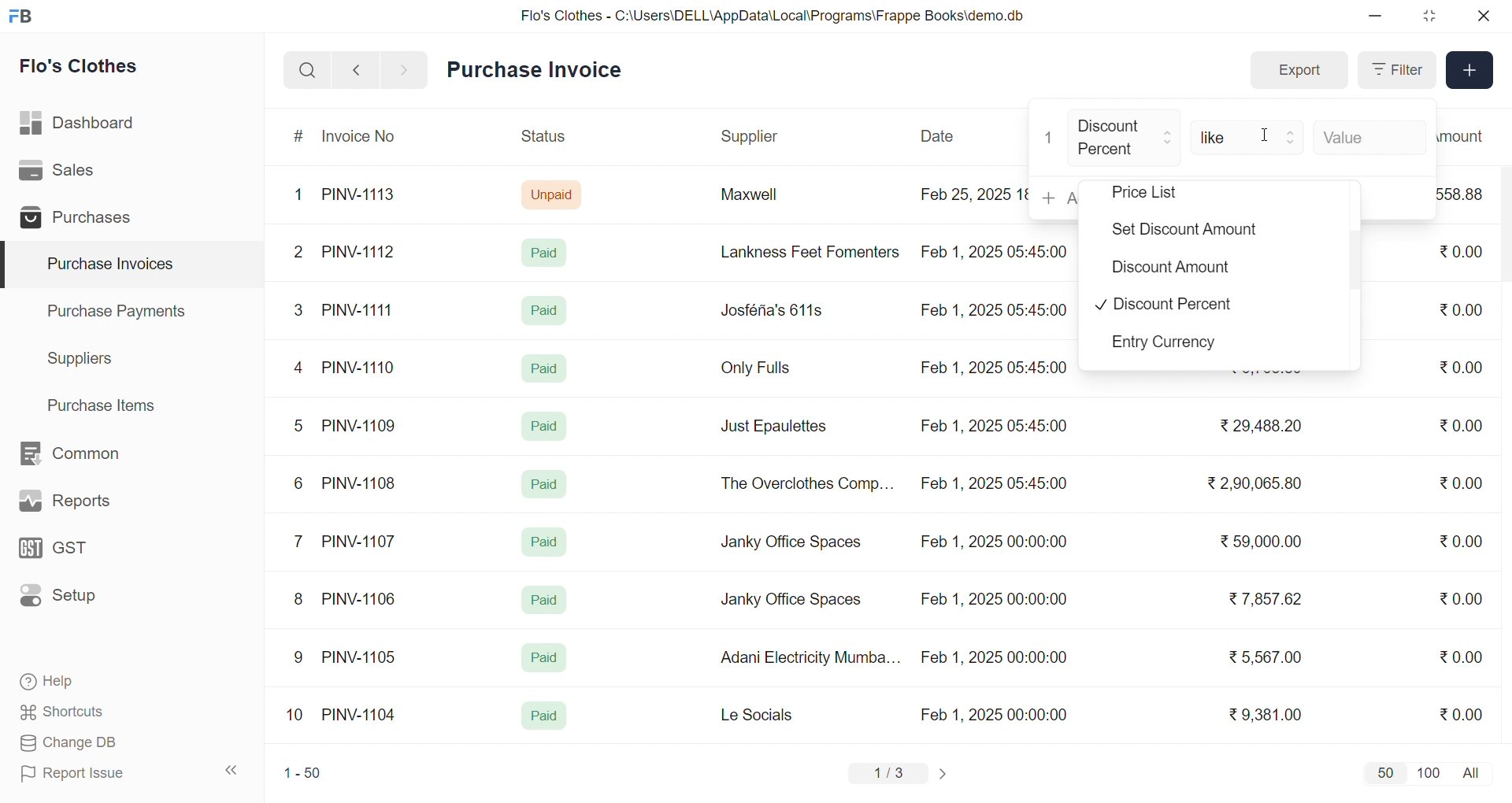 Image resolution: width=1512 pixels, height=803 pixels. I want to click on PINV-1113, so click(365, 196).